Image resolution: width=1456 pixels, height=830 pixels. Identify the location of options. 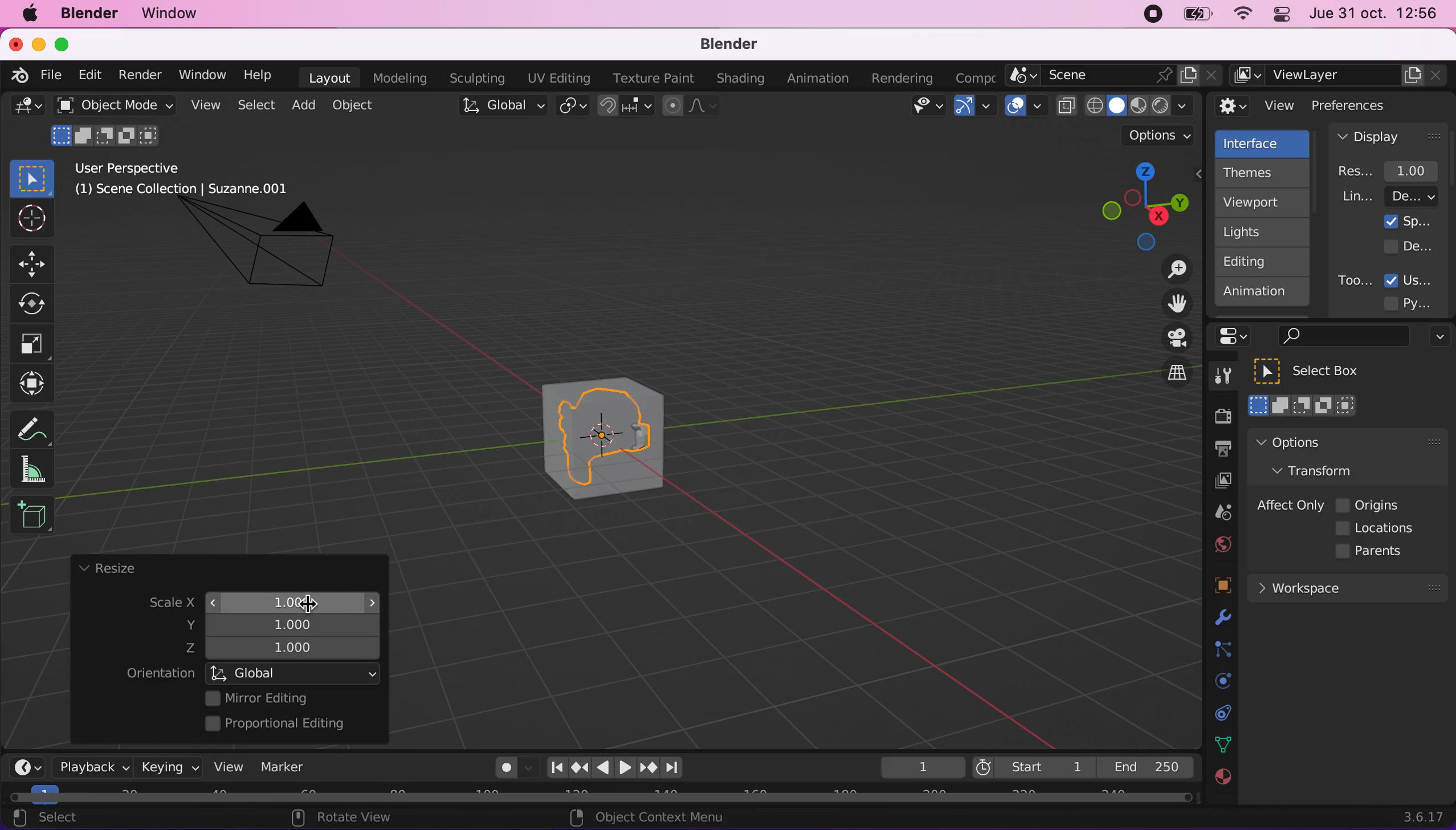
(1437, 338).